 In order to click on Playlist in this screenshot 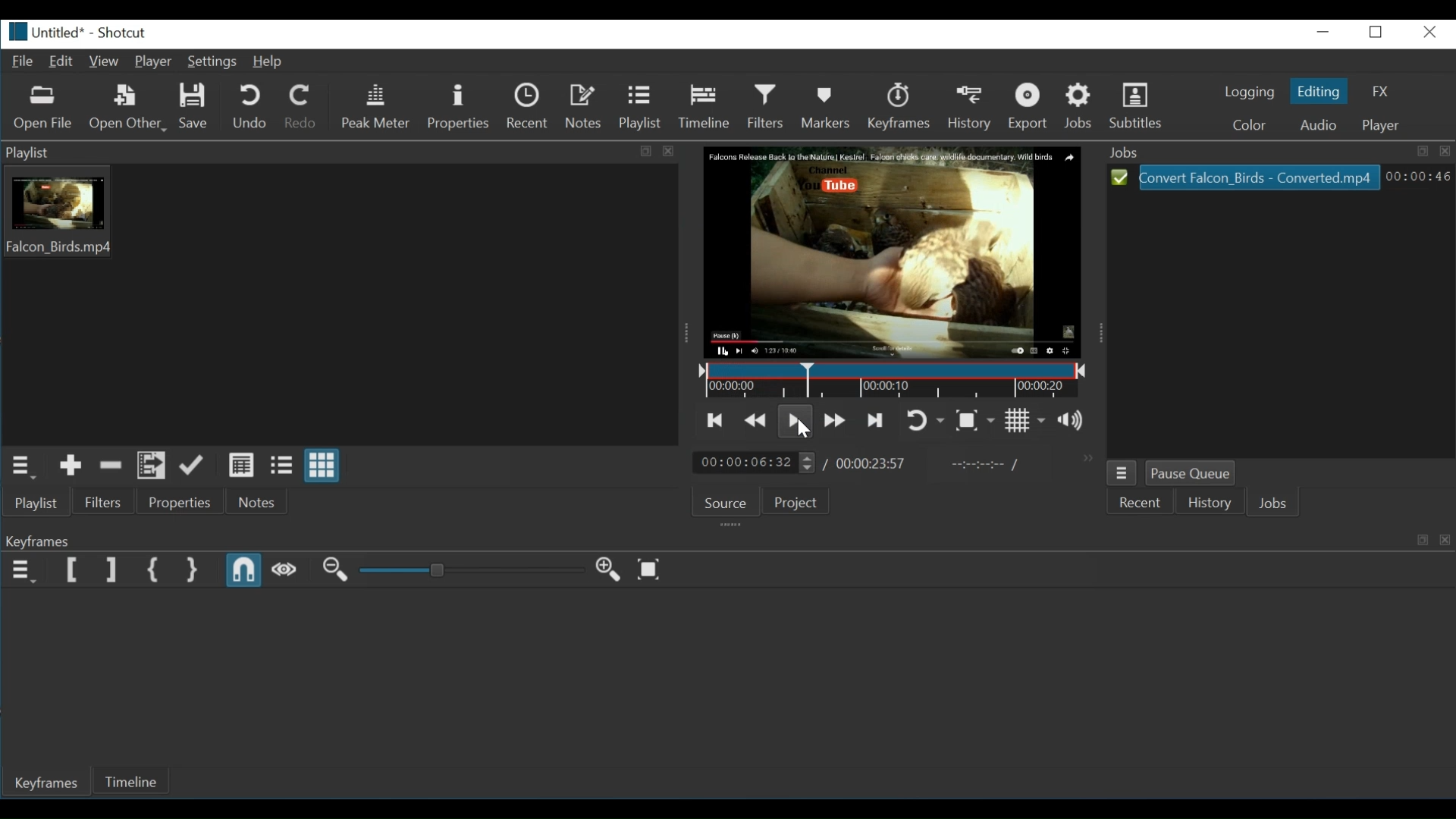, I will do `click(38, 504)`.